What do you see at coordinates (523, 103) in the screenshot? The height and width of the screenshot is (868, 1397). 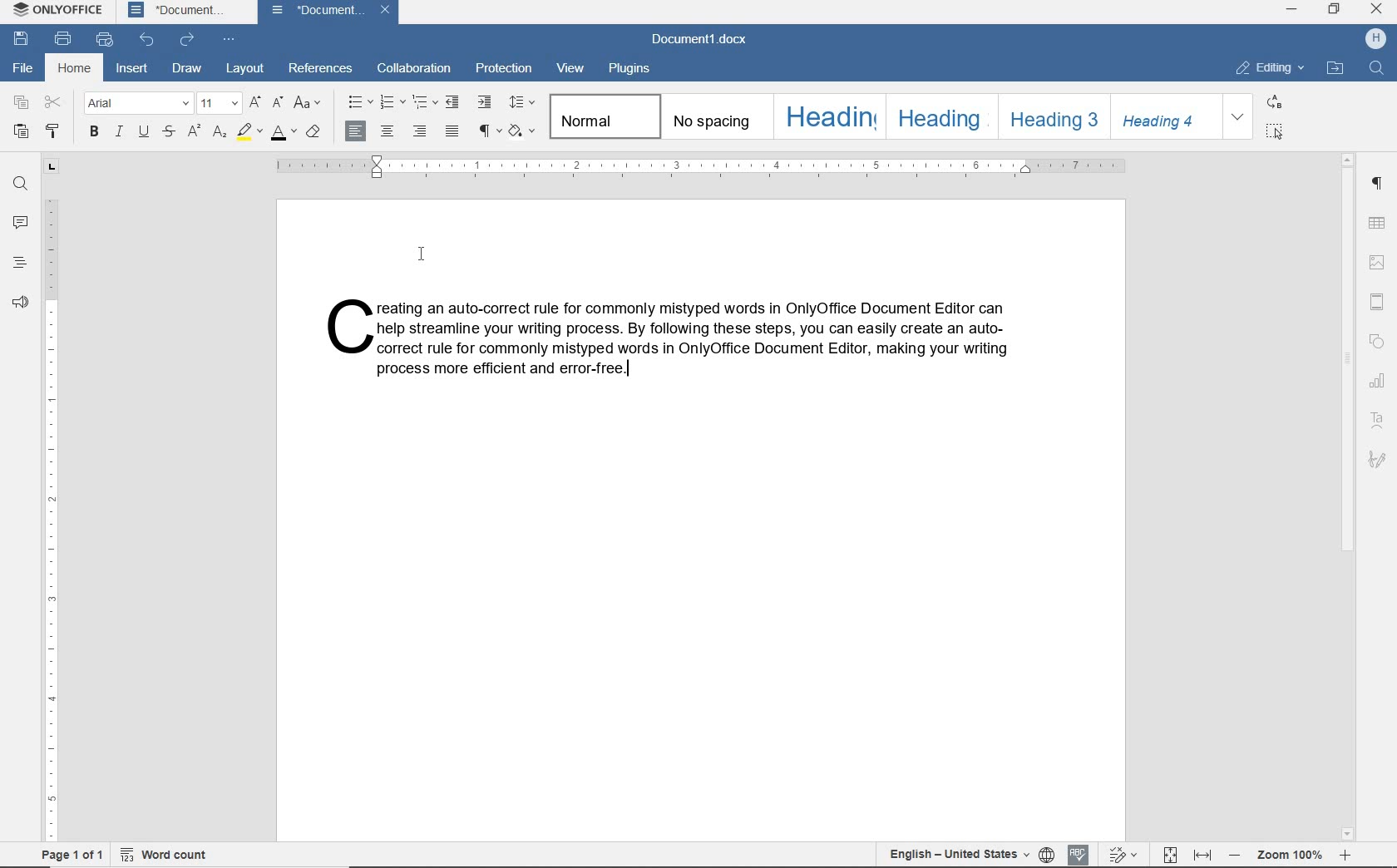 I see `PARAGRAPH LINE IN SPACING` at bounding box center [523, 103].